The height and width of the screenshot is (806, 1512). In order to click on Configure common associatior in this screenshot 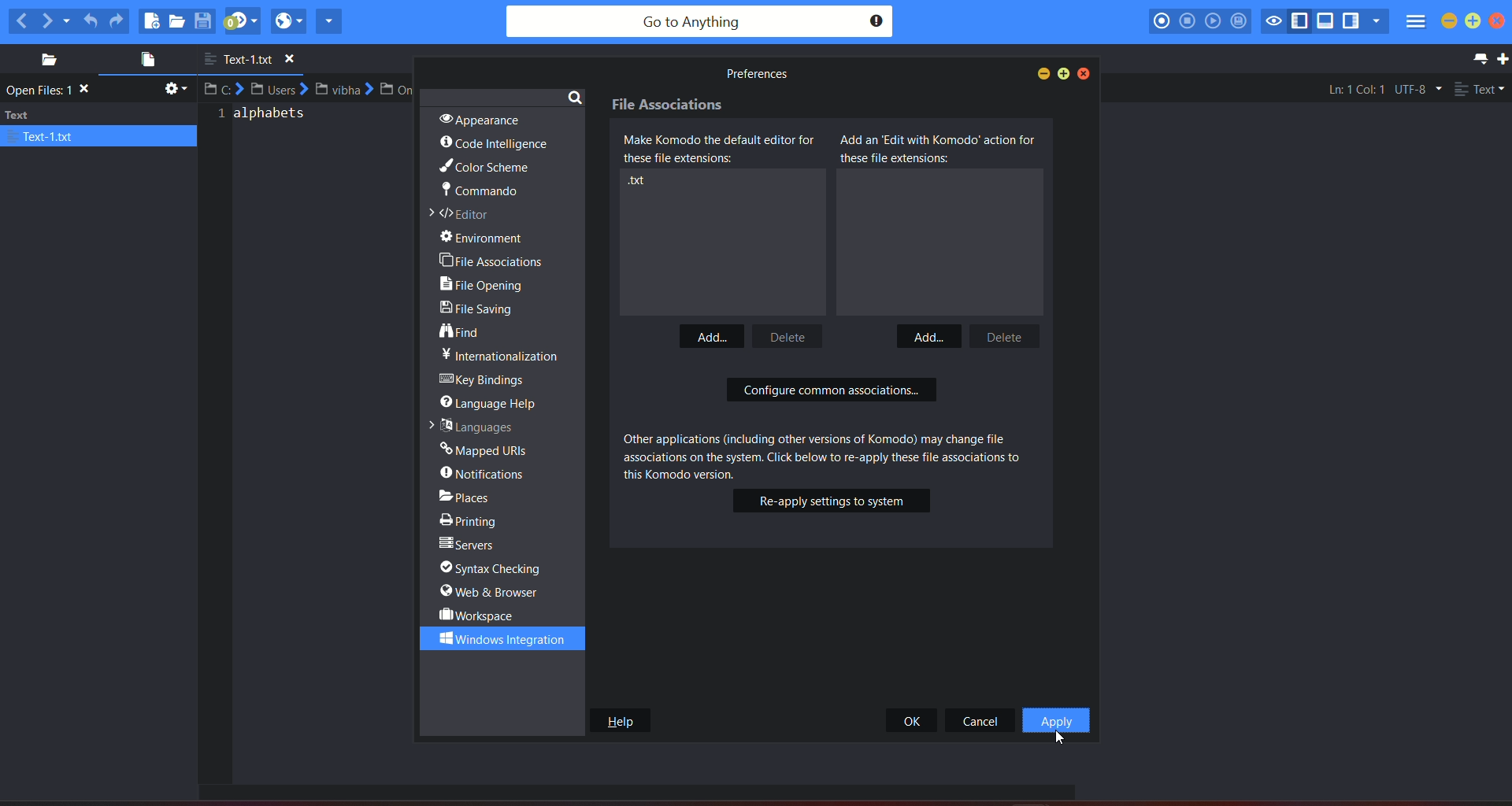, I will do `click(835, 391)`.